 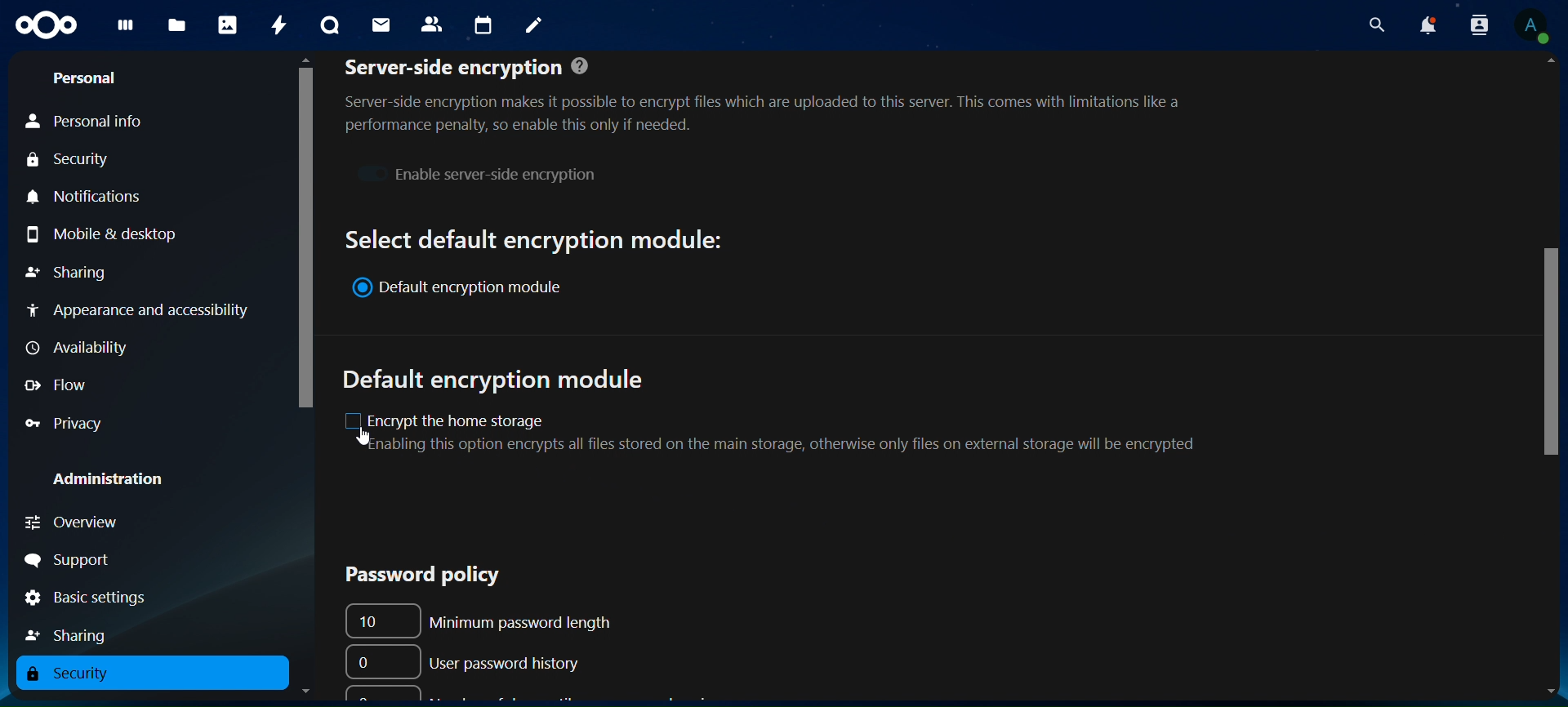 I want to click on default encrypton module, so click(x=467, y=289).